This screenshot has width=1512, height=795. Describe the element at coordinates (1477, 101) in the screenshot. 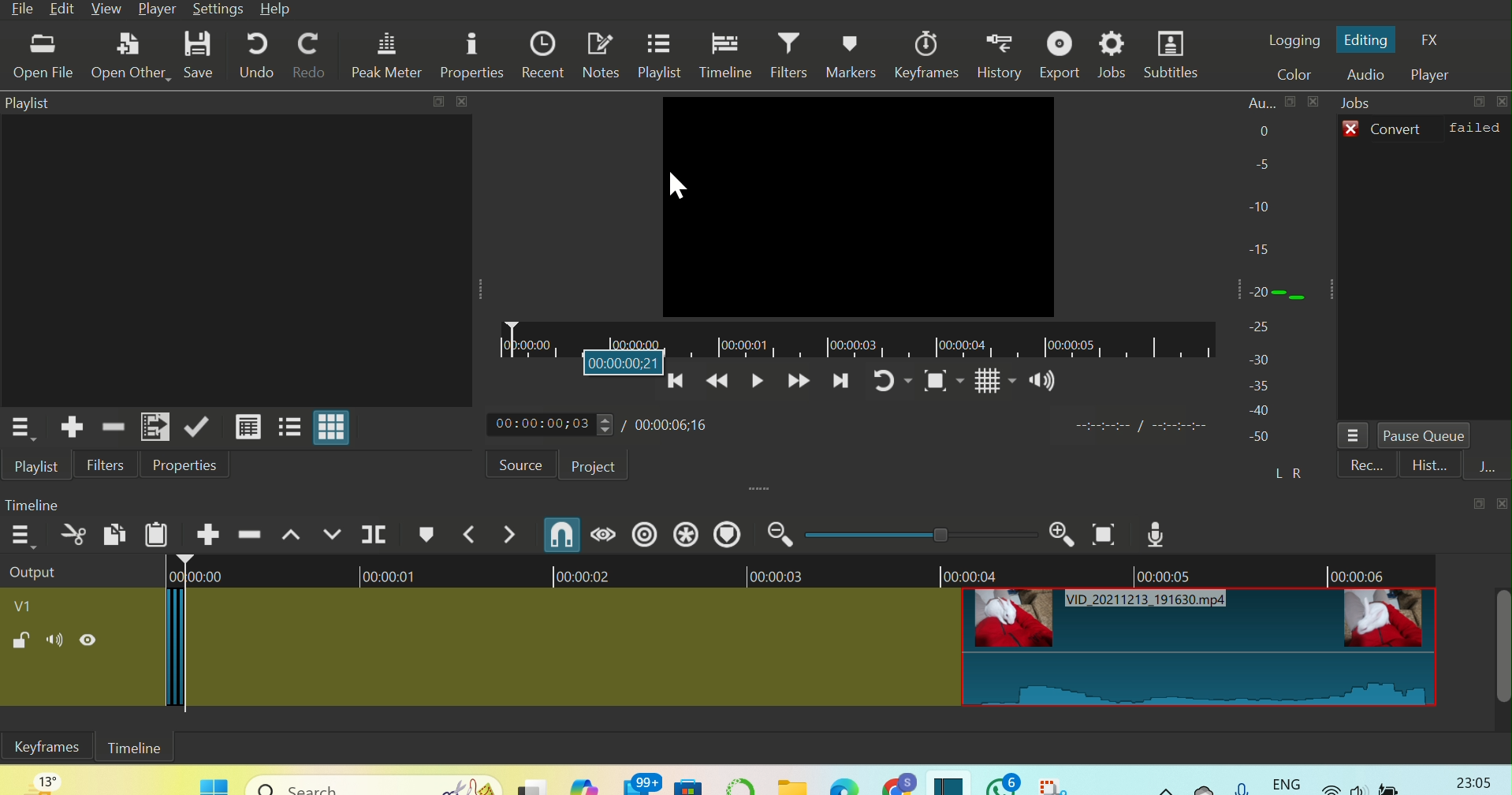

I see `` at that location.